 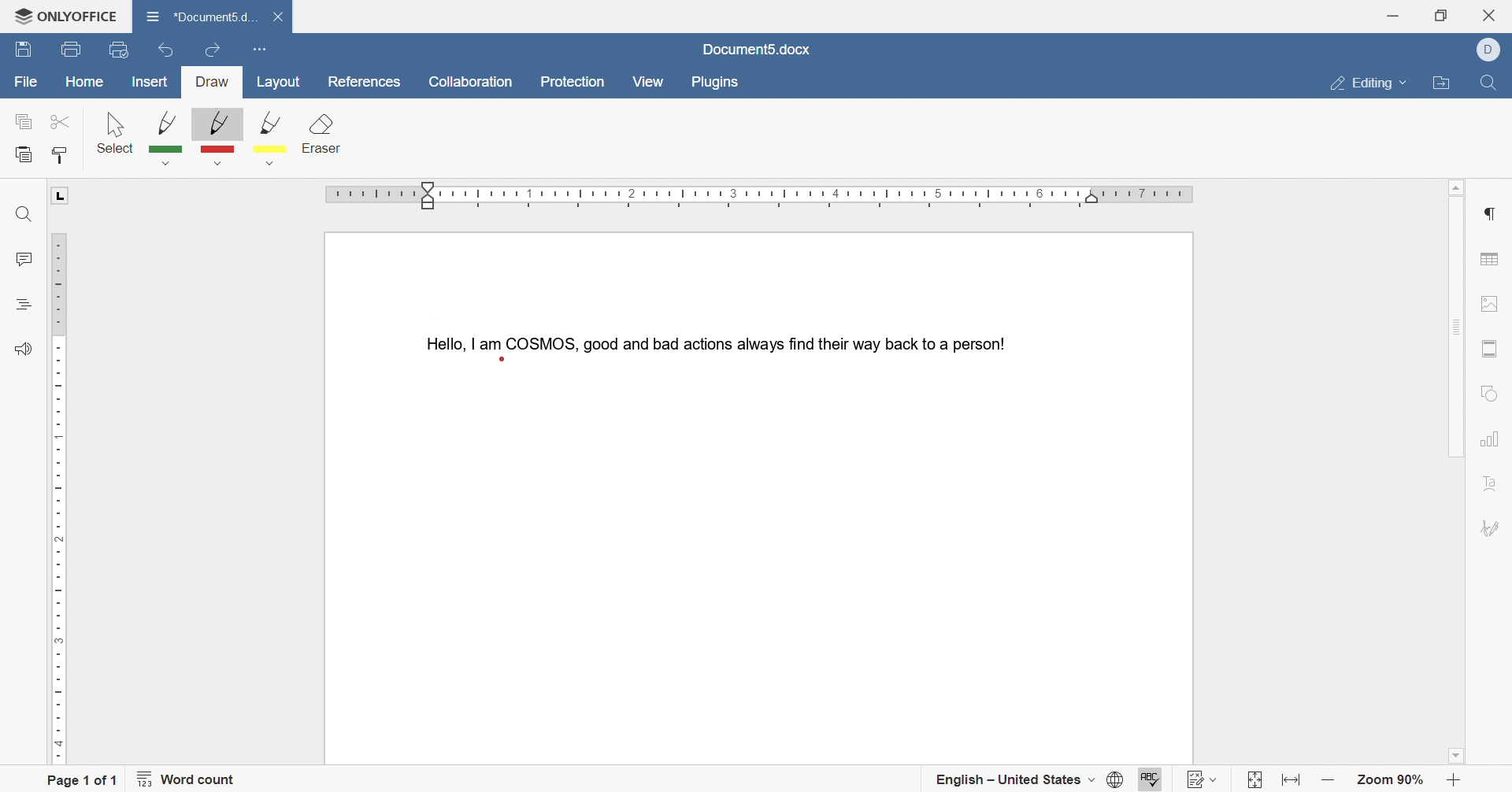 I want to click on undo, so click(x=161, y=52).